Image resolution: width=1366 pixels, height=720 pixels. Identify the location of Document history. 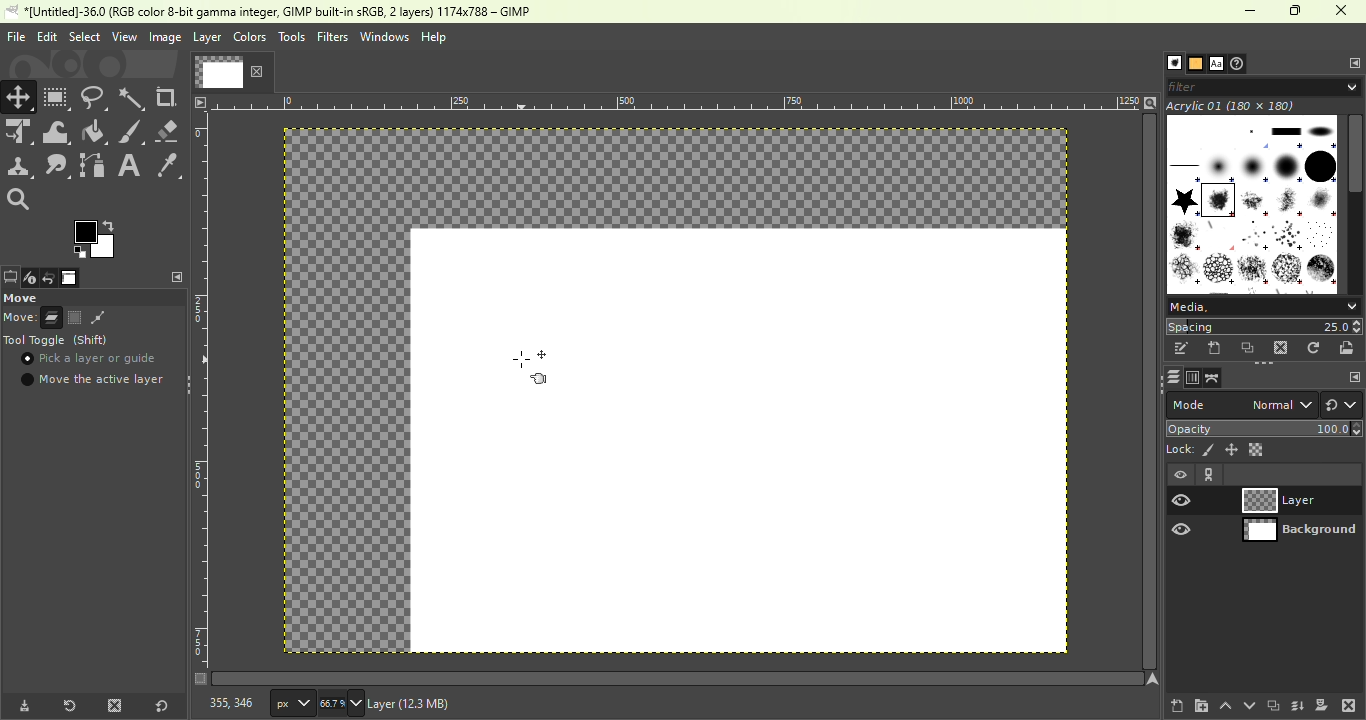
(1240, 63).